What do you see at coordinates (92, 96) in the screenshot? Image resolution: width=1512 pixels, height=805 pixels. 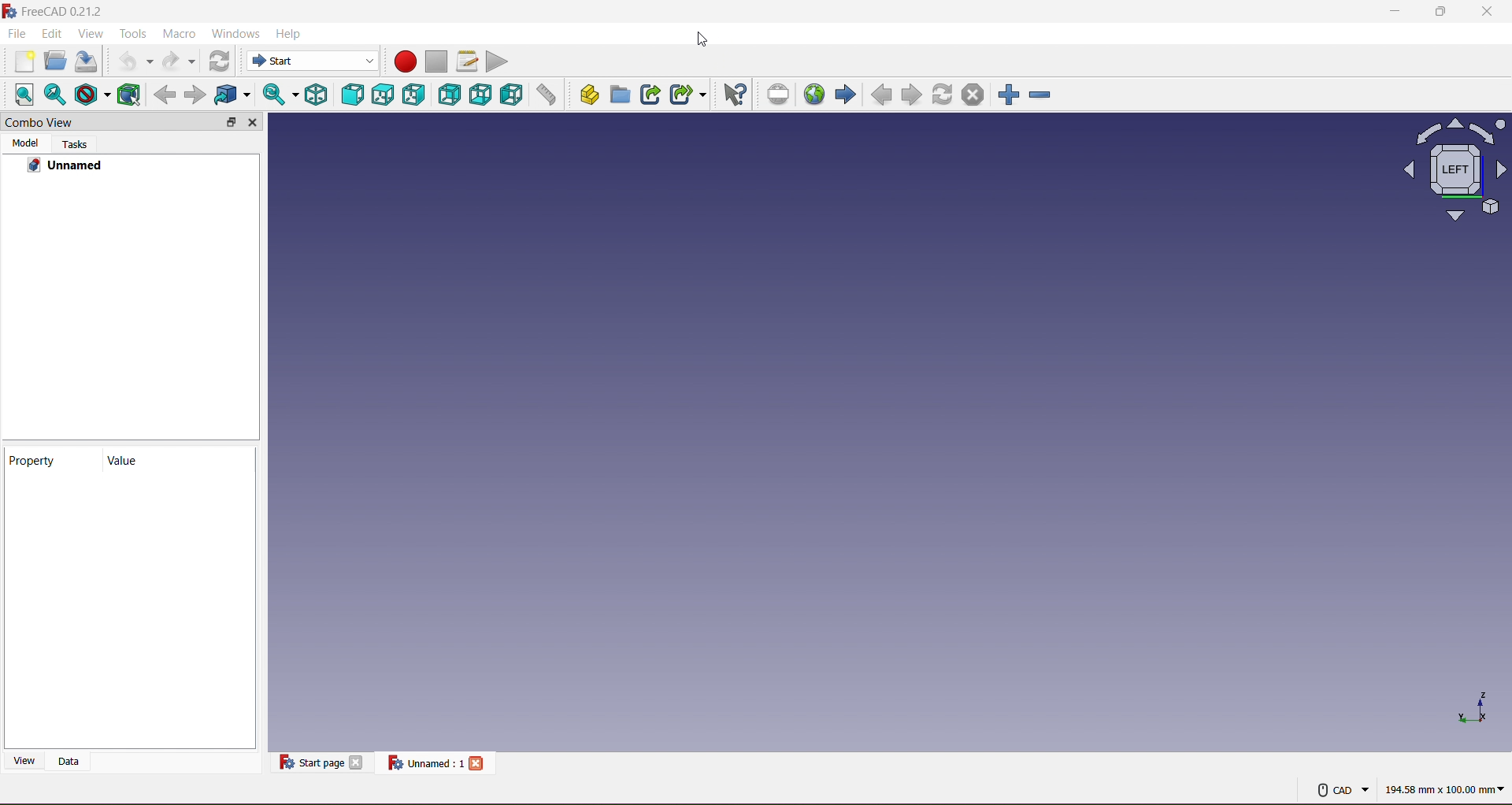 I see `Draw Style` at bounding box center [92, 96].